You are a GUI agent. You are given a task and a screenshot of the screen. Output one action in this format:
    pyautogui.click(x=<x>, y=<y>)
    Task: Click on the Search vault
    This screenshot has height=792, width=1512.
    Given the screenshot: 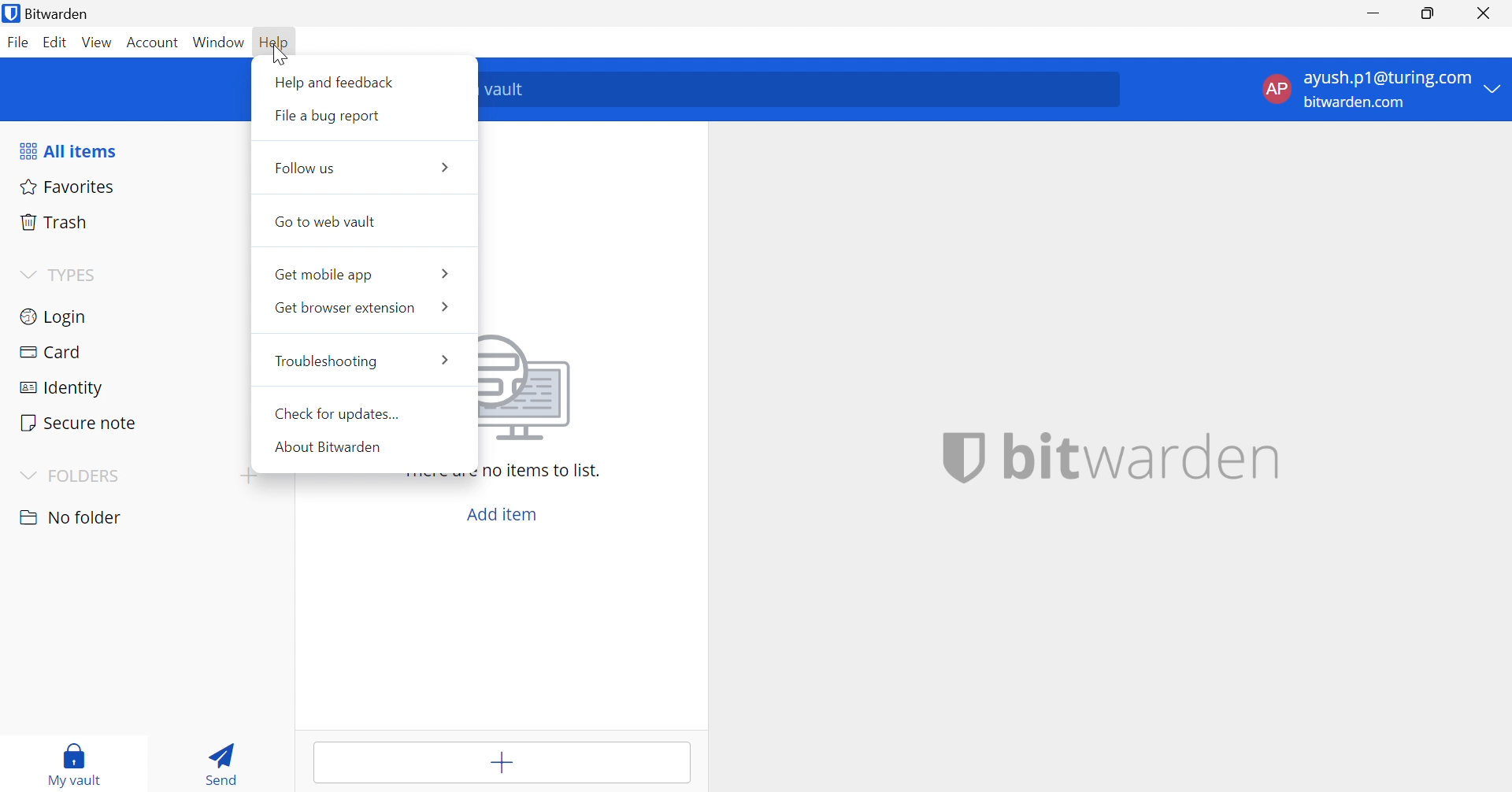 What is the action you would take?
    pyautogui.click(x=802, y=90)
    